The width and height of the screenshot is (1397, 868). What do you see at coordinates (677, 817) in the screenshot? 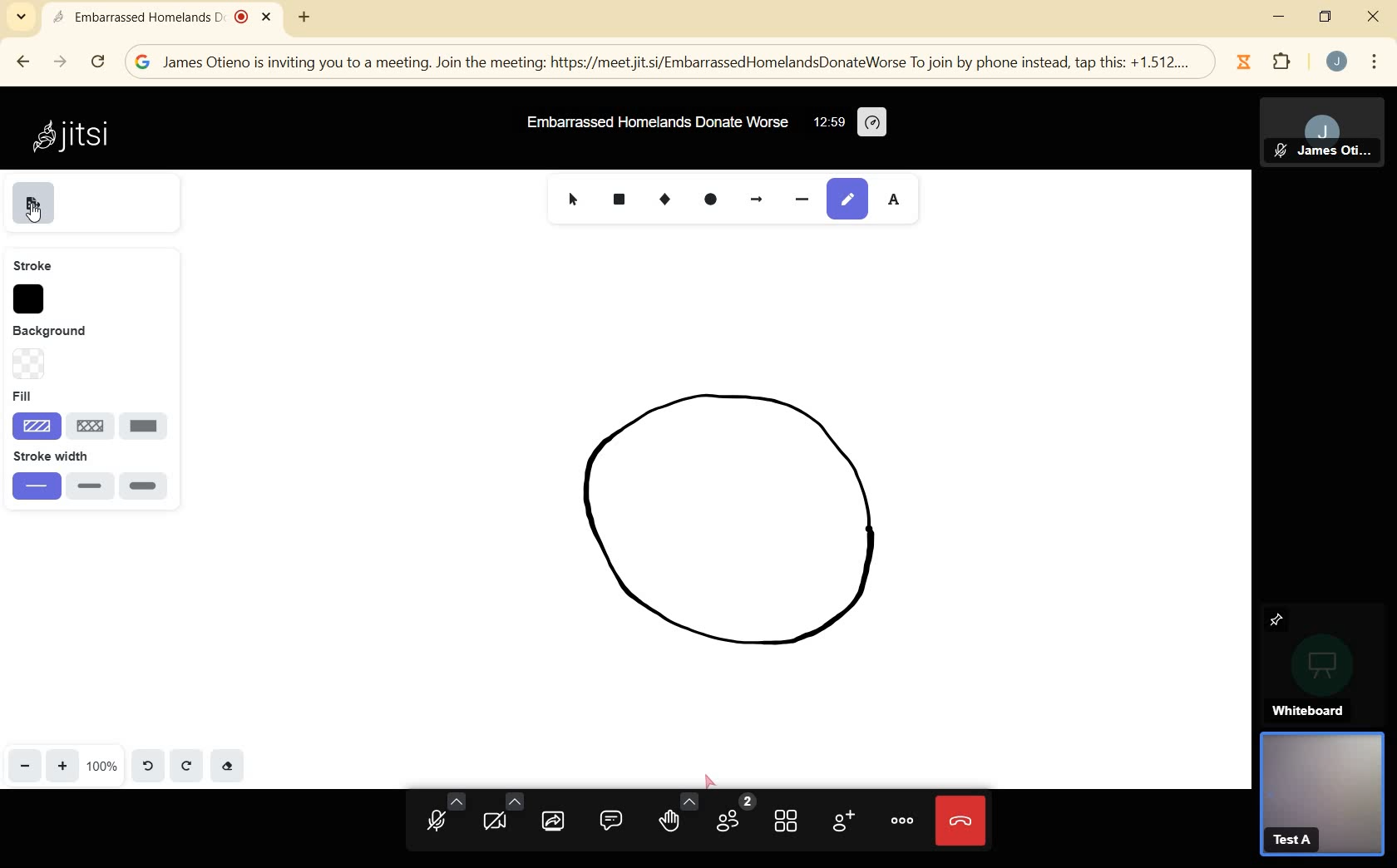
I see `raise your hand` at bounding box center [677, 817].